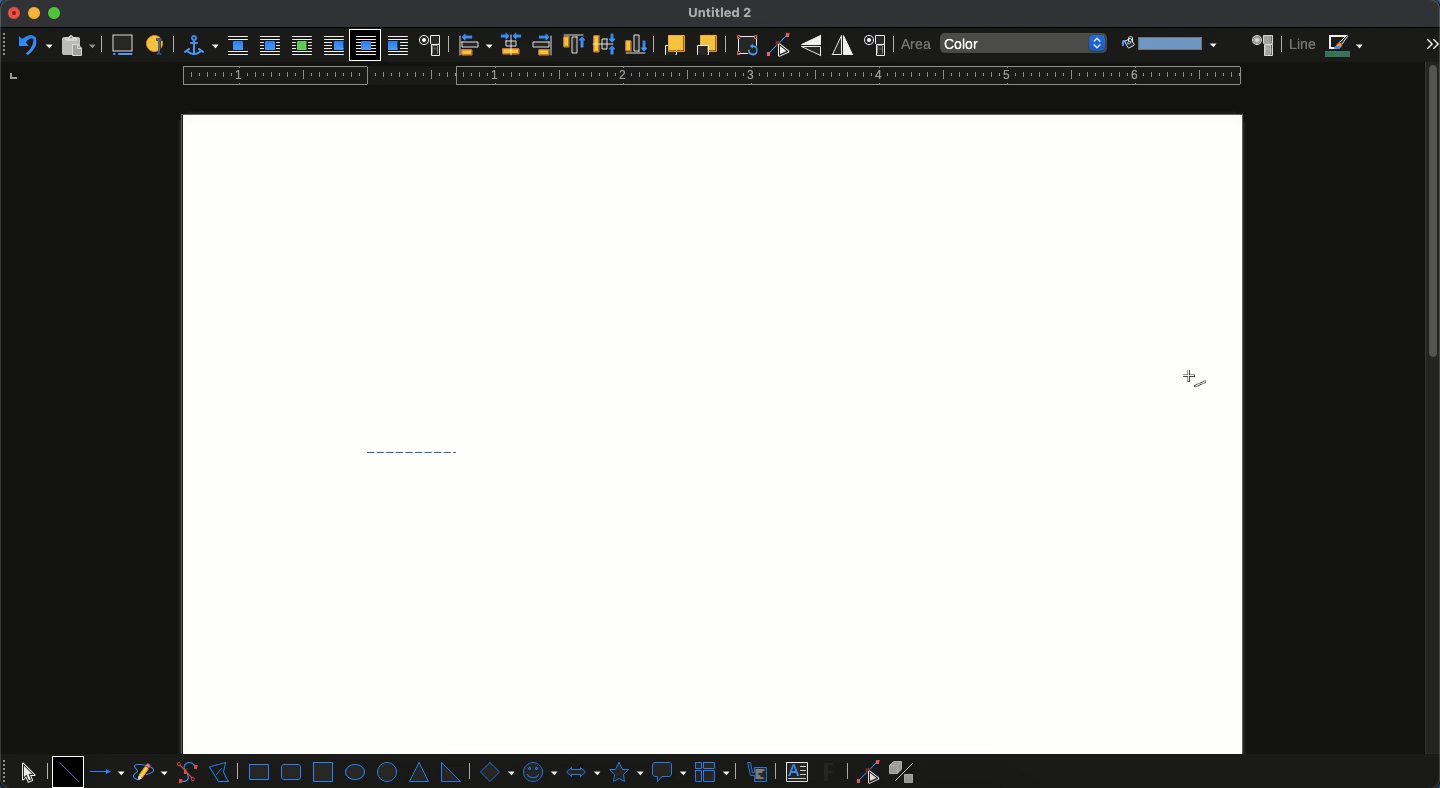  Describe the element at coordinates (54, 14) in the screenshot. I see `maximize` at that location.